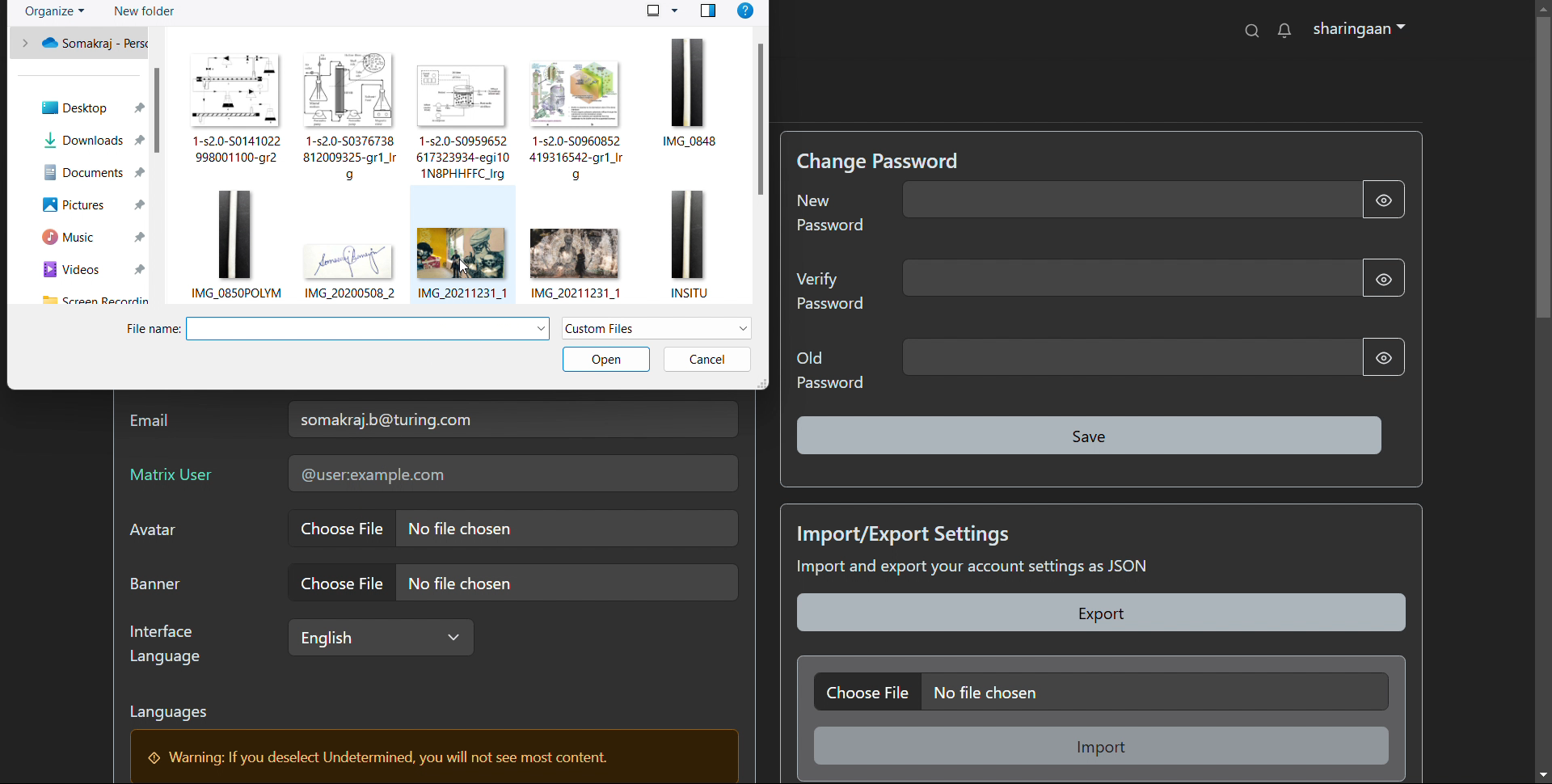 The image size is (1552, 784). Describe the element at coordinates (1381, 357) in the screenshot. I see `toggle visibility` at that location.